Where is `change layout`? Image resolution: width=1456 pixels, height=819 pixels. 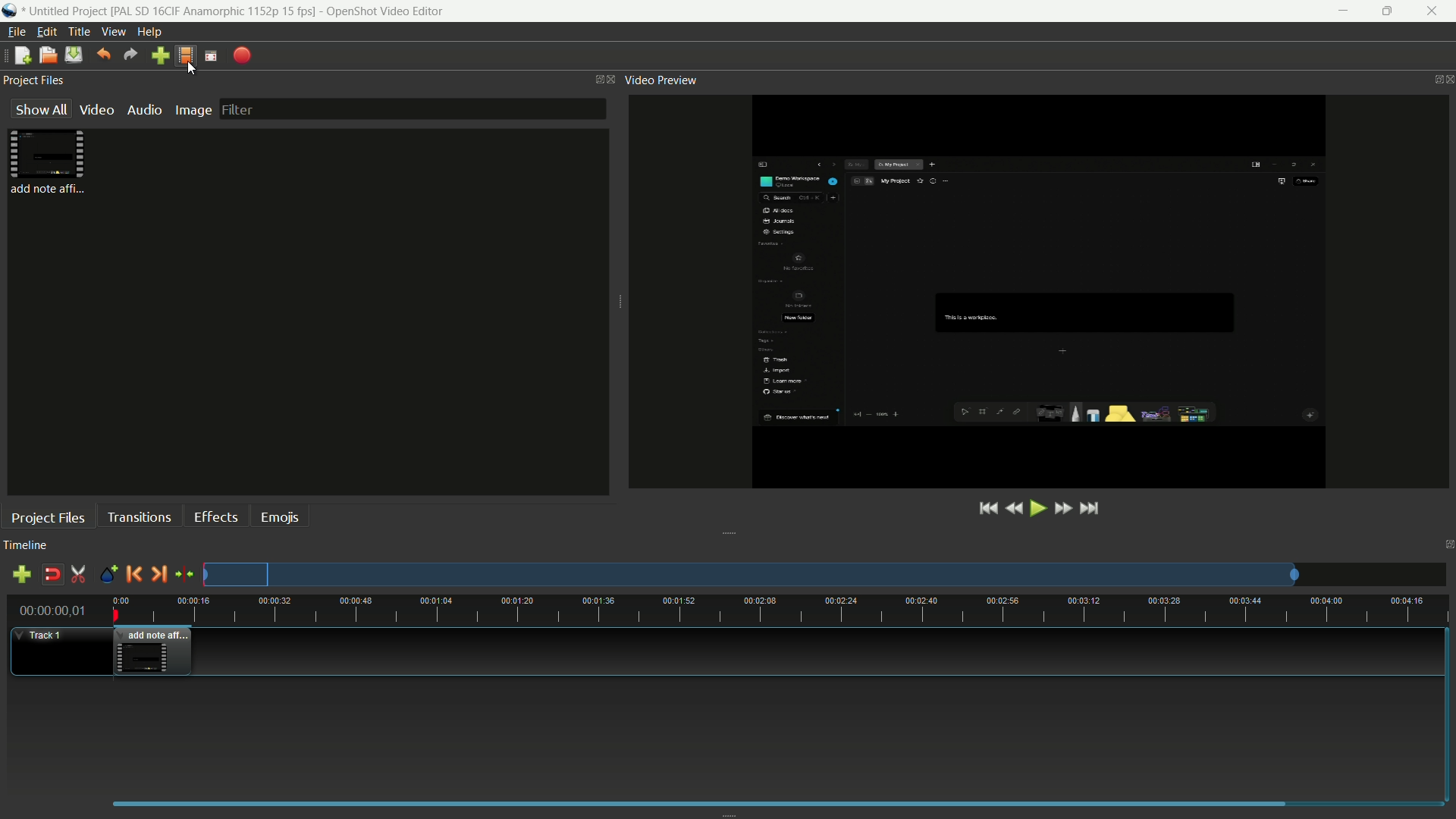
change layout is located at coordinates (590, 79).